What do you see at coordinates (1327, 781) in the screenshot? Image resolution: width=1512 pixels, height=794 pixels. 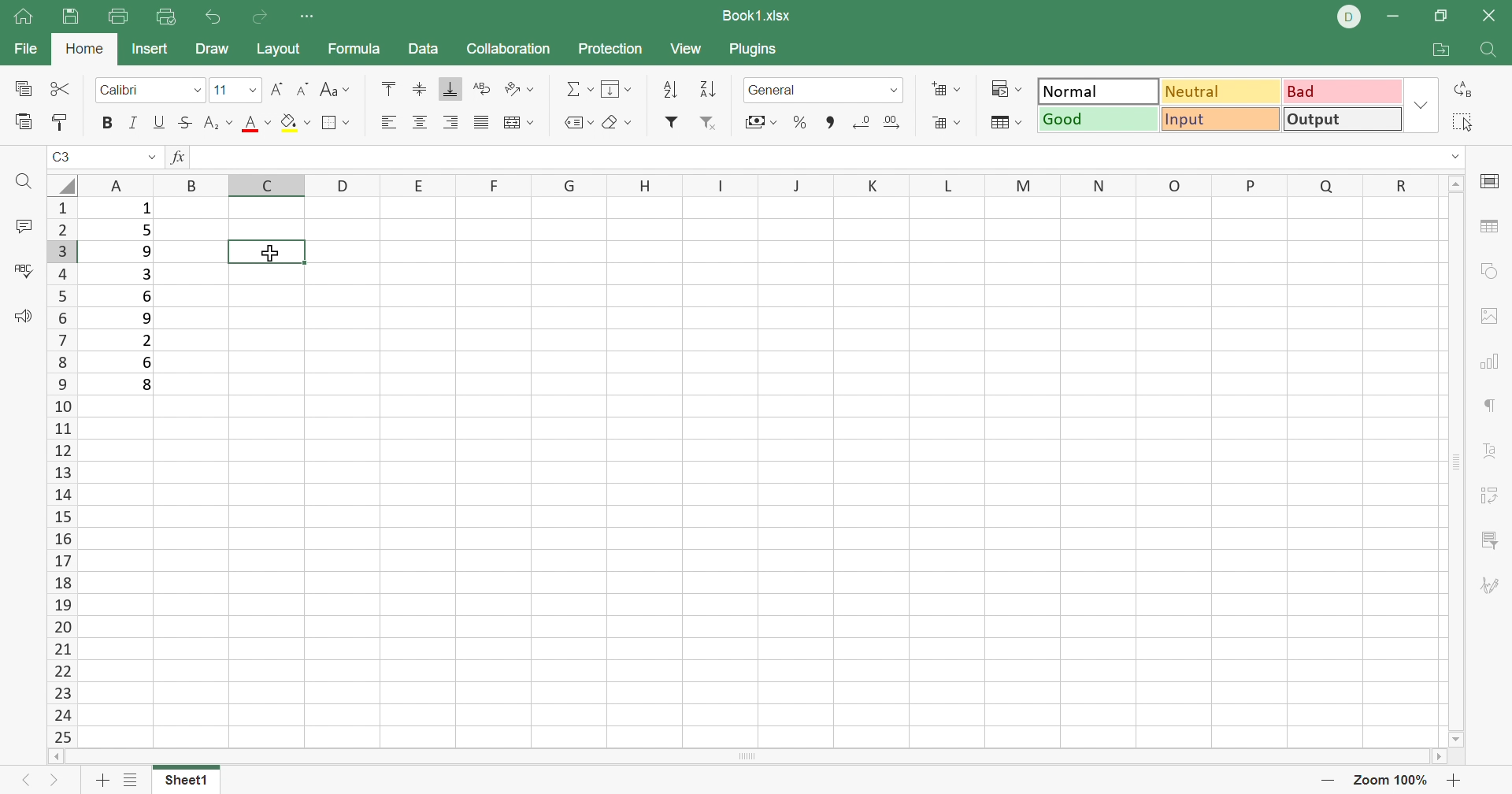 I see `Zoom out` at bounding box center [1327, 781].